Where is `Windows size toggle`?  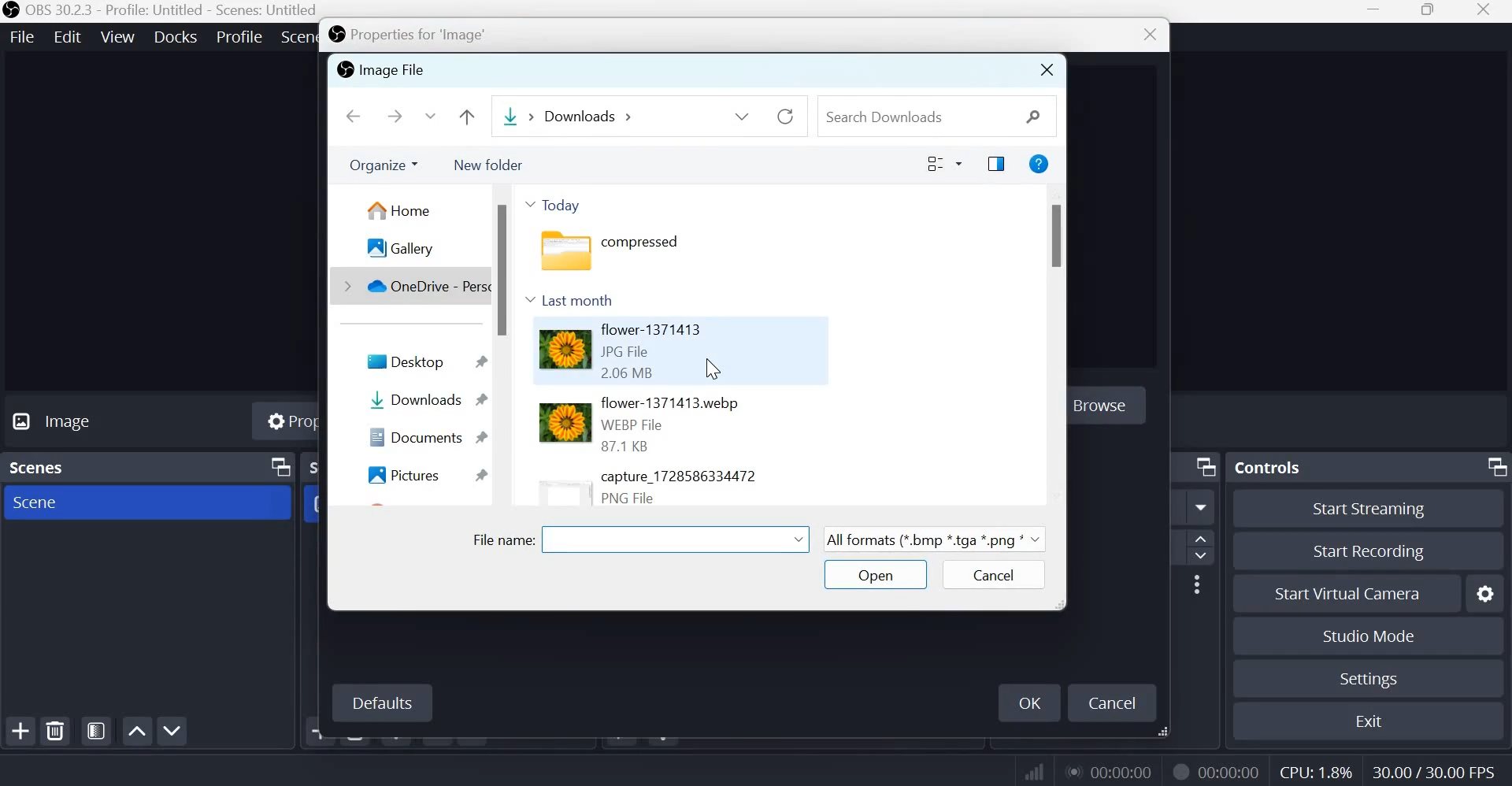 Windows size toggle is located at coordinates (1428, 11).